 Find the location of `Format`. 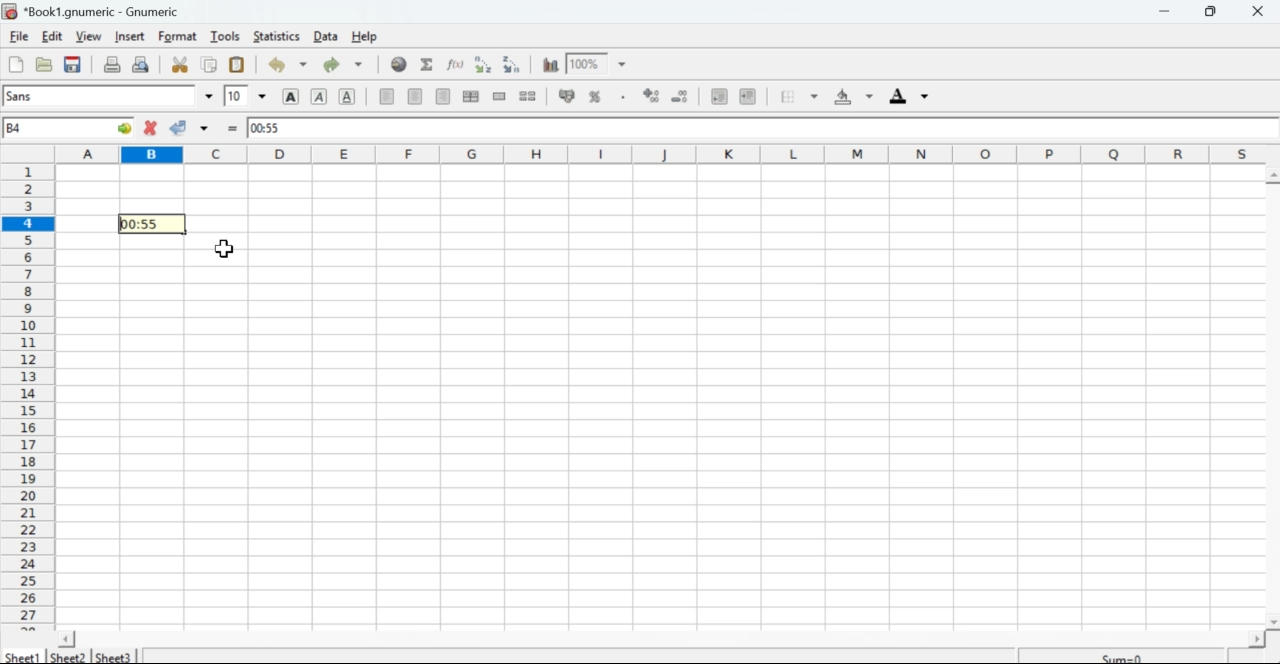

Format is located at coordinates (174, 37).